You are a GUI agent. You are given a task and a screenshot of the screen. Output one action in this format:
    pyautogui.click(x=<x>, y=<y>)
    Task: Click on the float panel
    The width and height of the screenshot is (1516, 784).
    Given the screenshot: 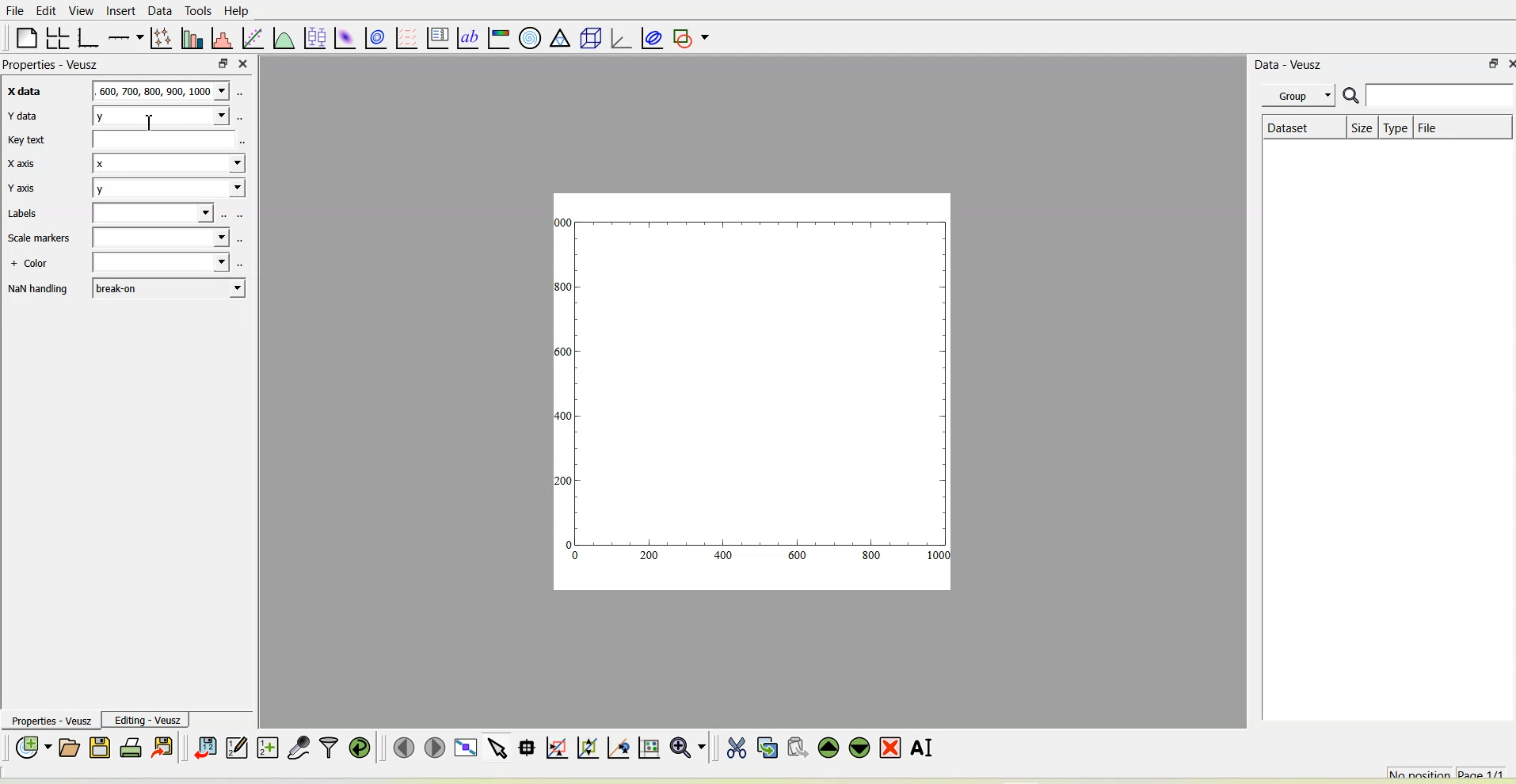 What is the action you would take?
    pyautogui.click(x=1490, y=64)
    